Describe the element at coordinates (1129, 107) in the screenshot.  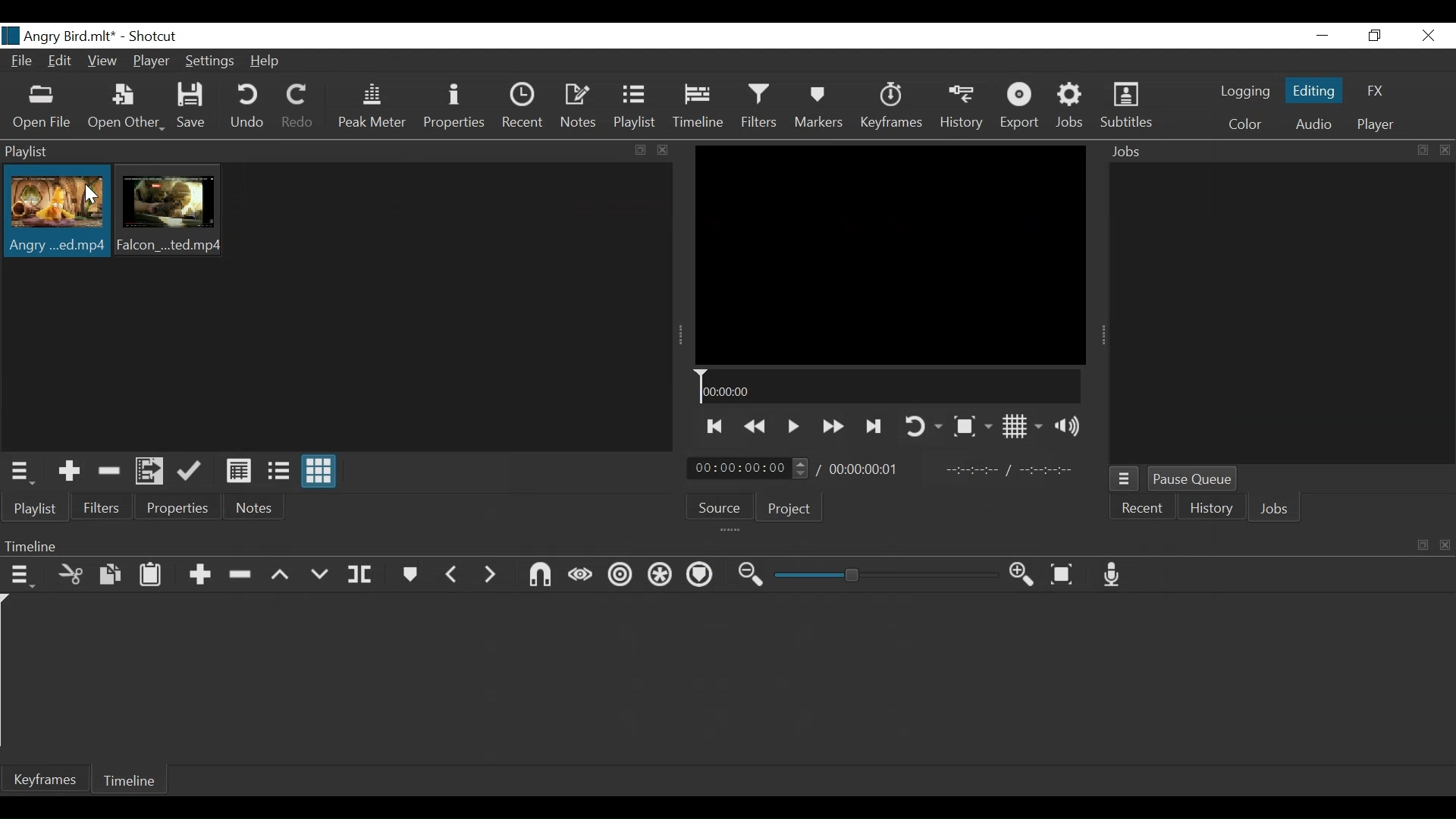
I see `Subtitles` at that location.